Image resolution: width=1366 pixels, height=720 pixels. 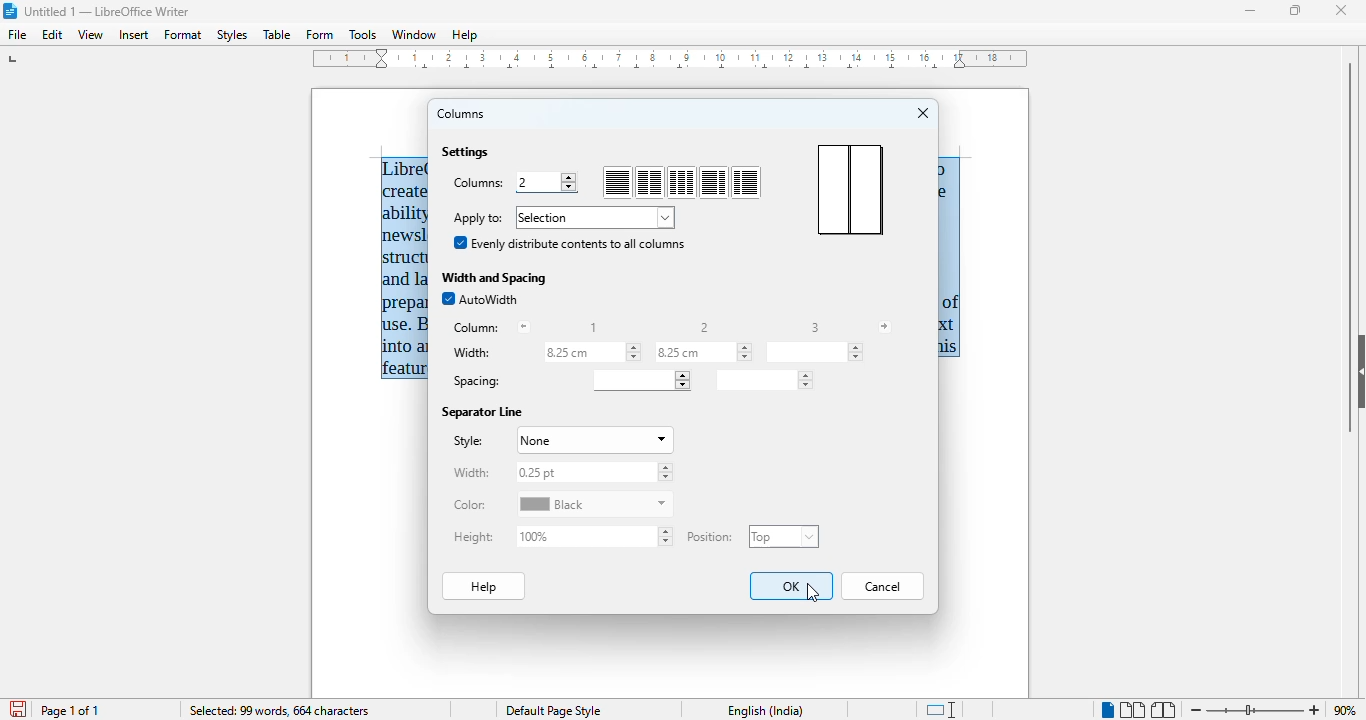 I want to click on tools, so click(x=362, y=34).